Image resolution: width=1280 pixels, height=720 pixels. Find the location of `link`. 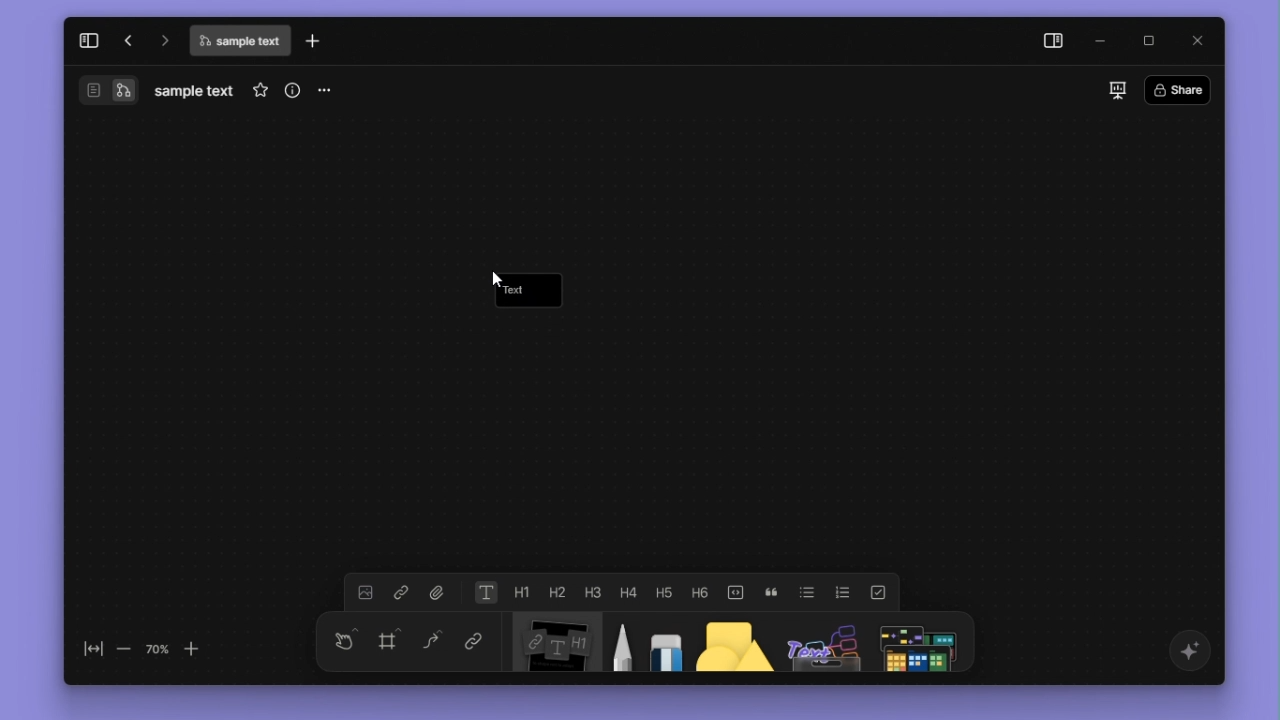

link is located at coordinates (400, 593).